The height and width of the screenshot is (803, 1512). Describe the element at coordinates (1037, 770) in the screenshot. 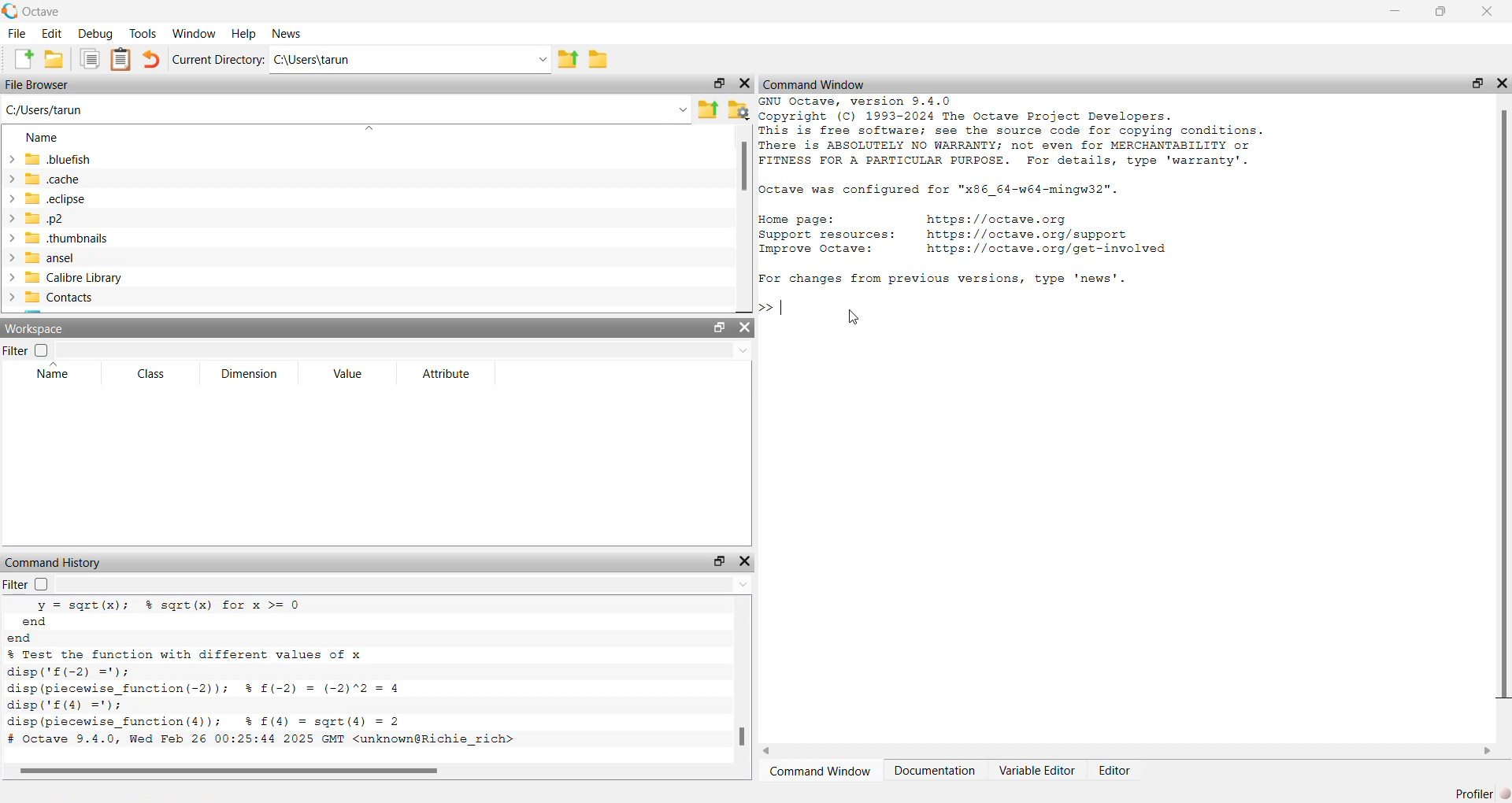

I see `Variable Editor` at that location.